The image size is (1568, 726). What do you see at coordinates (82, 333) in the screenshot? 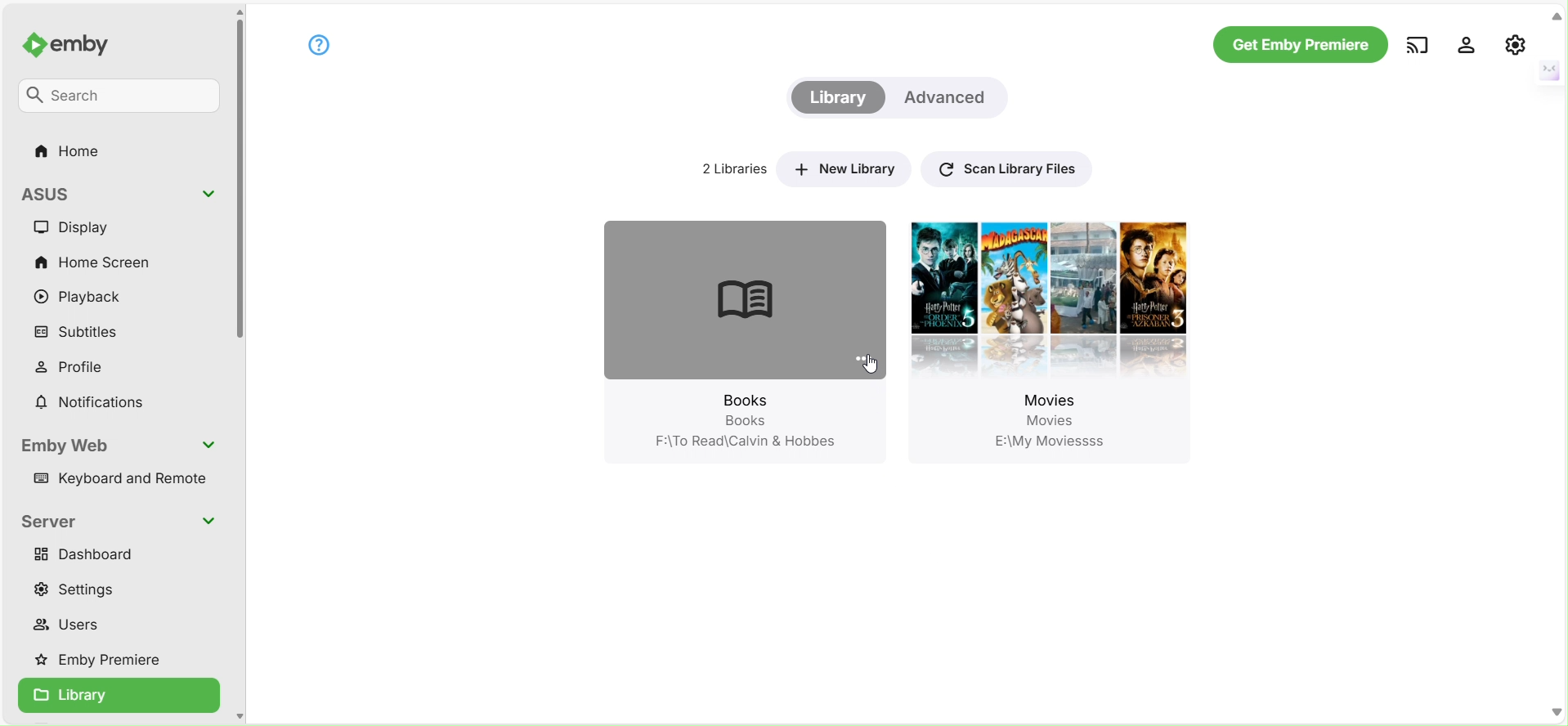
I see `Subtitles` at bounding box center [82, 333].